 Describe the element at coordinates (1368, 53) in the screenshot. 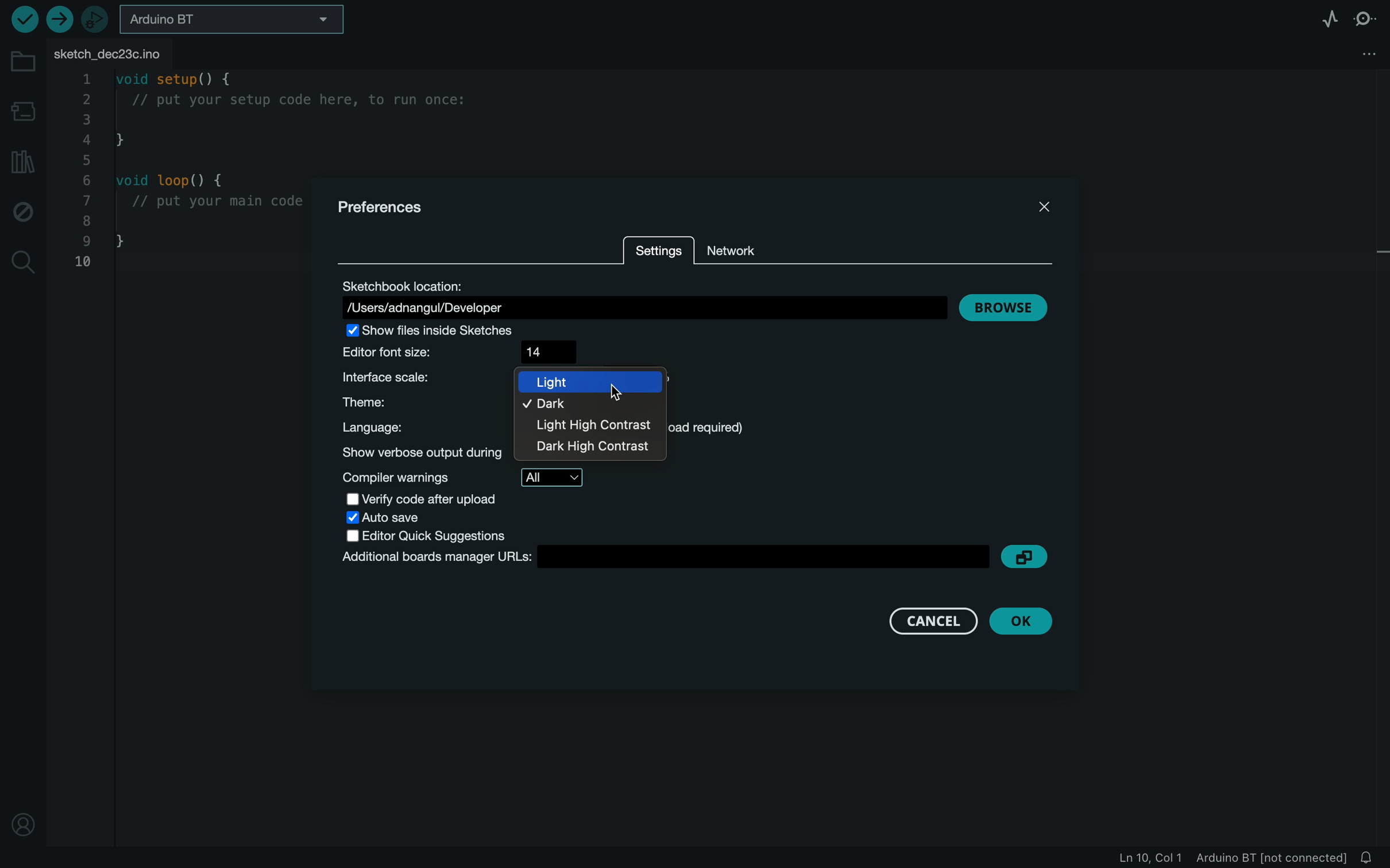

I see `file setting` at that location.